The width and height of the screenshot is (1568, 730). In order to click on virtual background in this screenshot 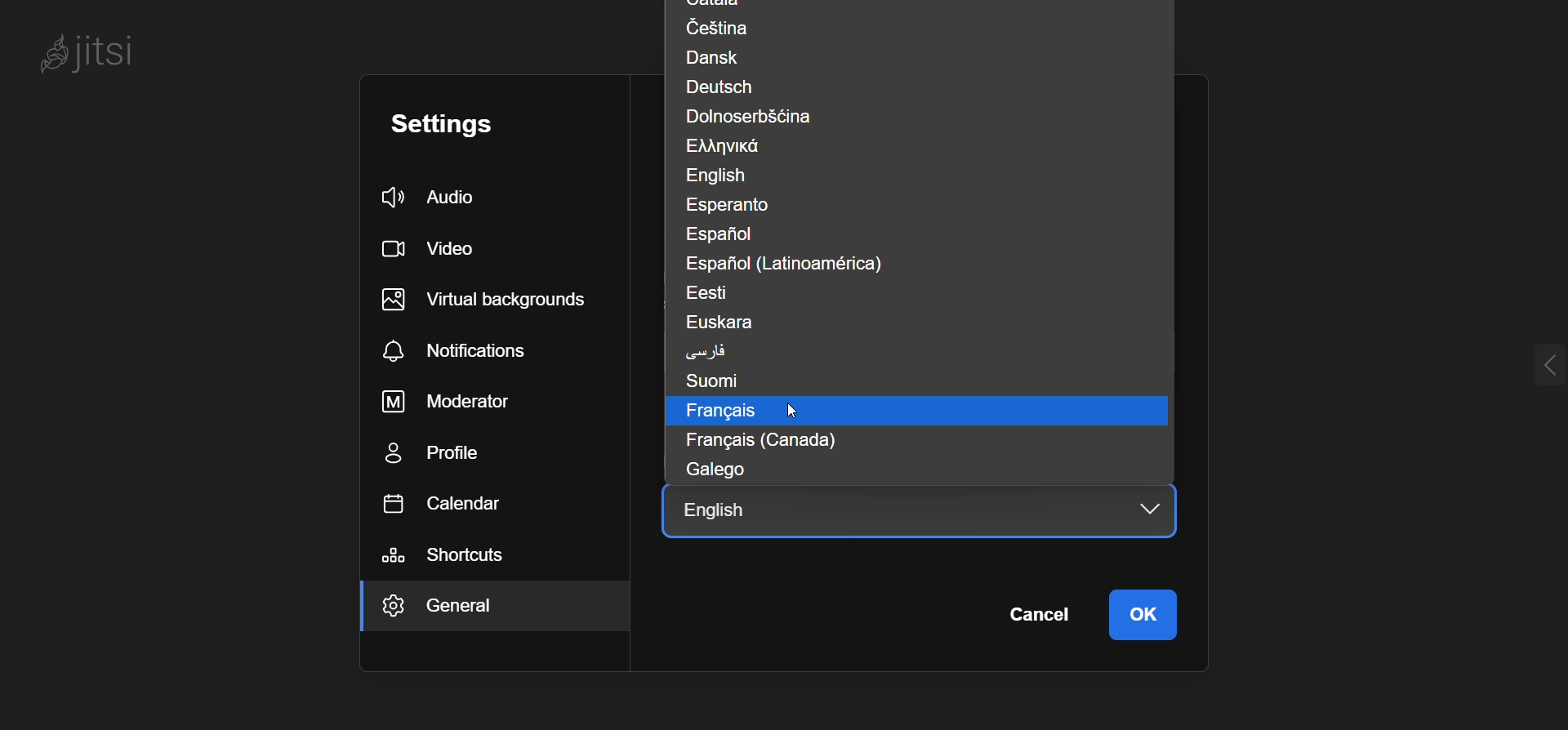, I will do `click(492, 300)`.